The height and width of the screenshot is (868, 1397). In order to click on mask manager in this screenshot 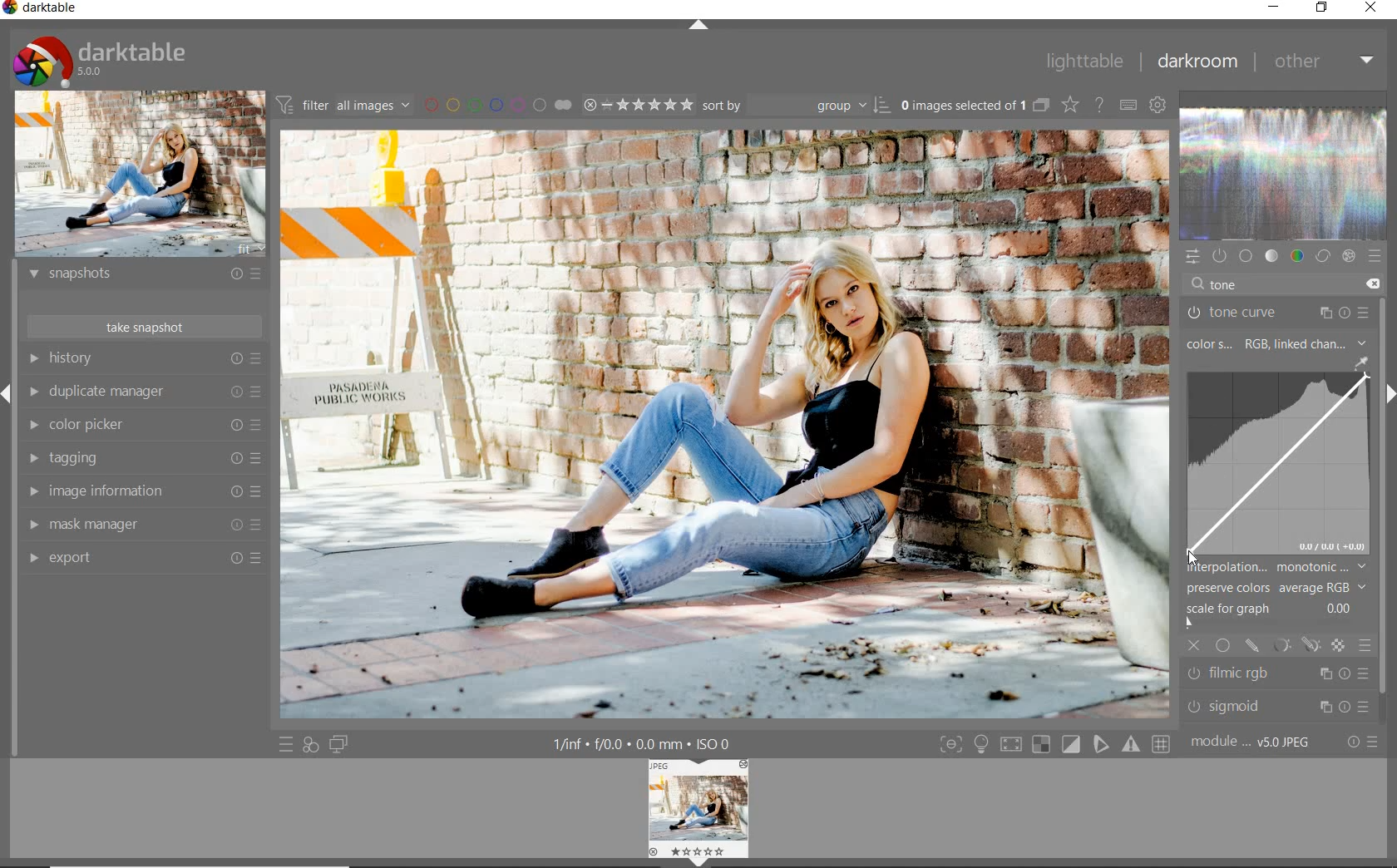, I will do `click(141, 523)`.